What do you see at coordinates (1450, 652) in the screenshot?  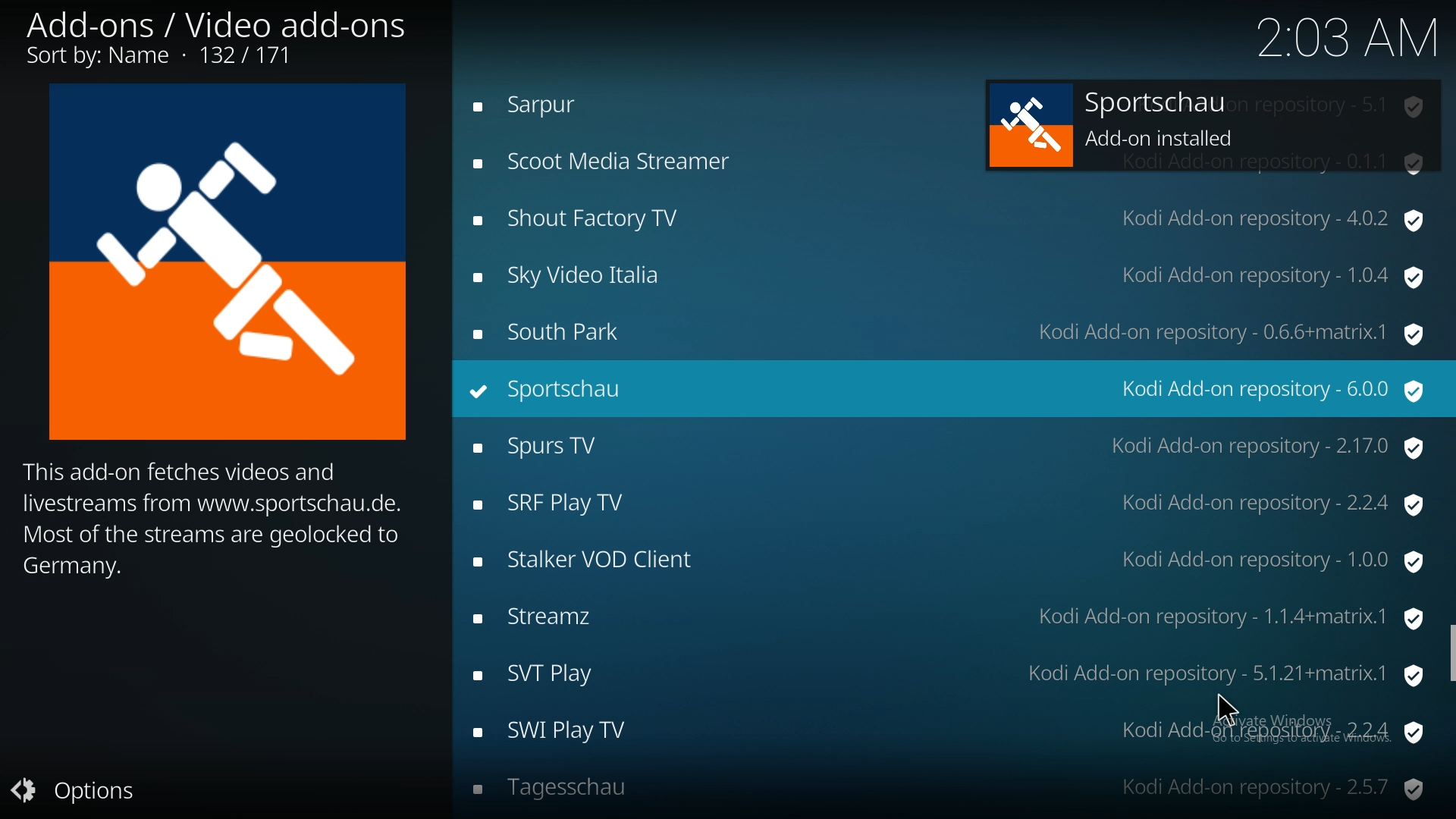 I see `scroll bar` at bounding box center [1450, 652].